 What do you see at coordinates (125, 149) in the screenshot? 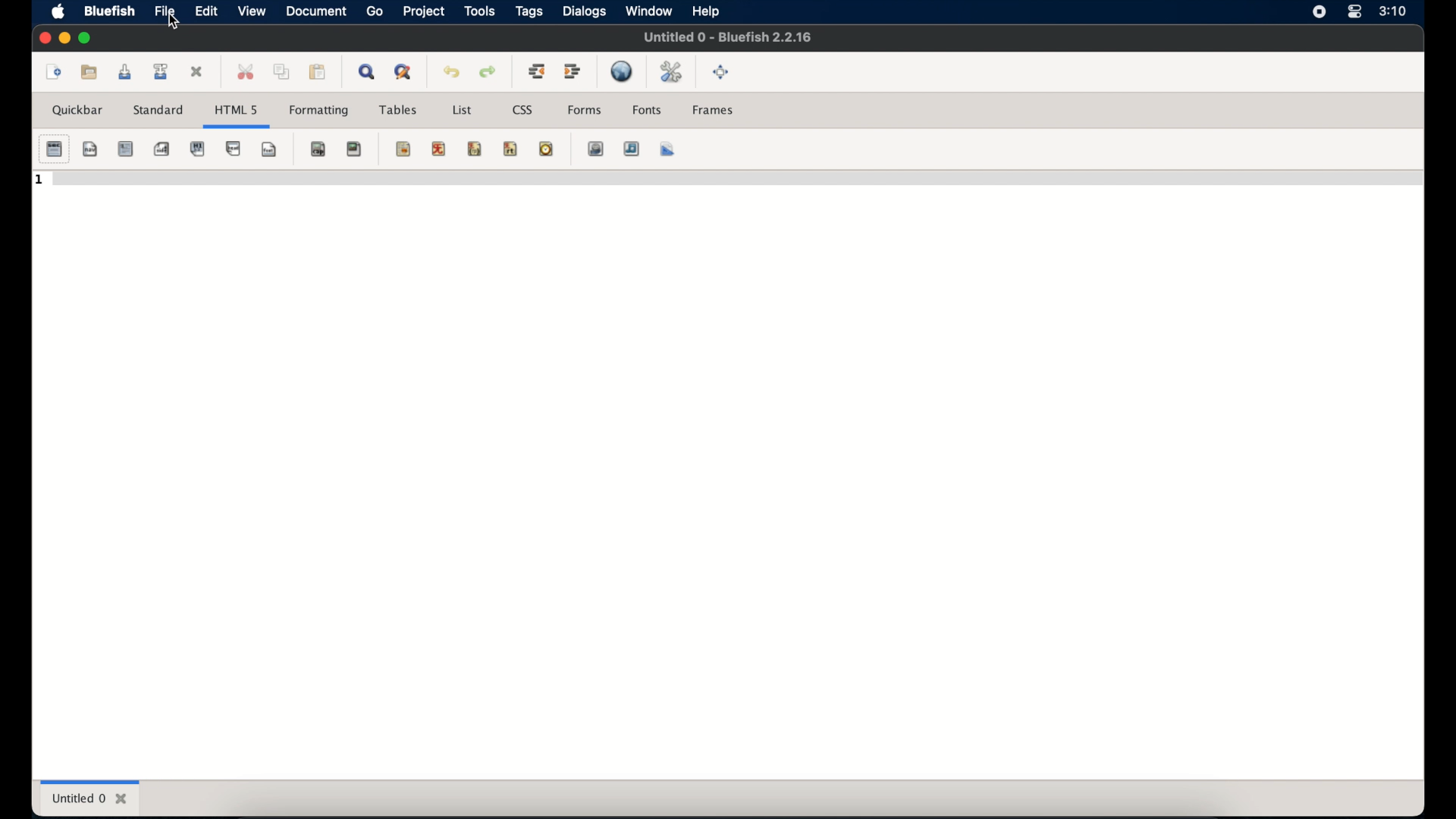
I see `article` at bounding box center [125, 149].